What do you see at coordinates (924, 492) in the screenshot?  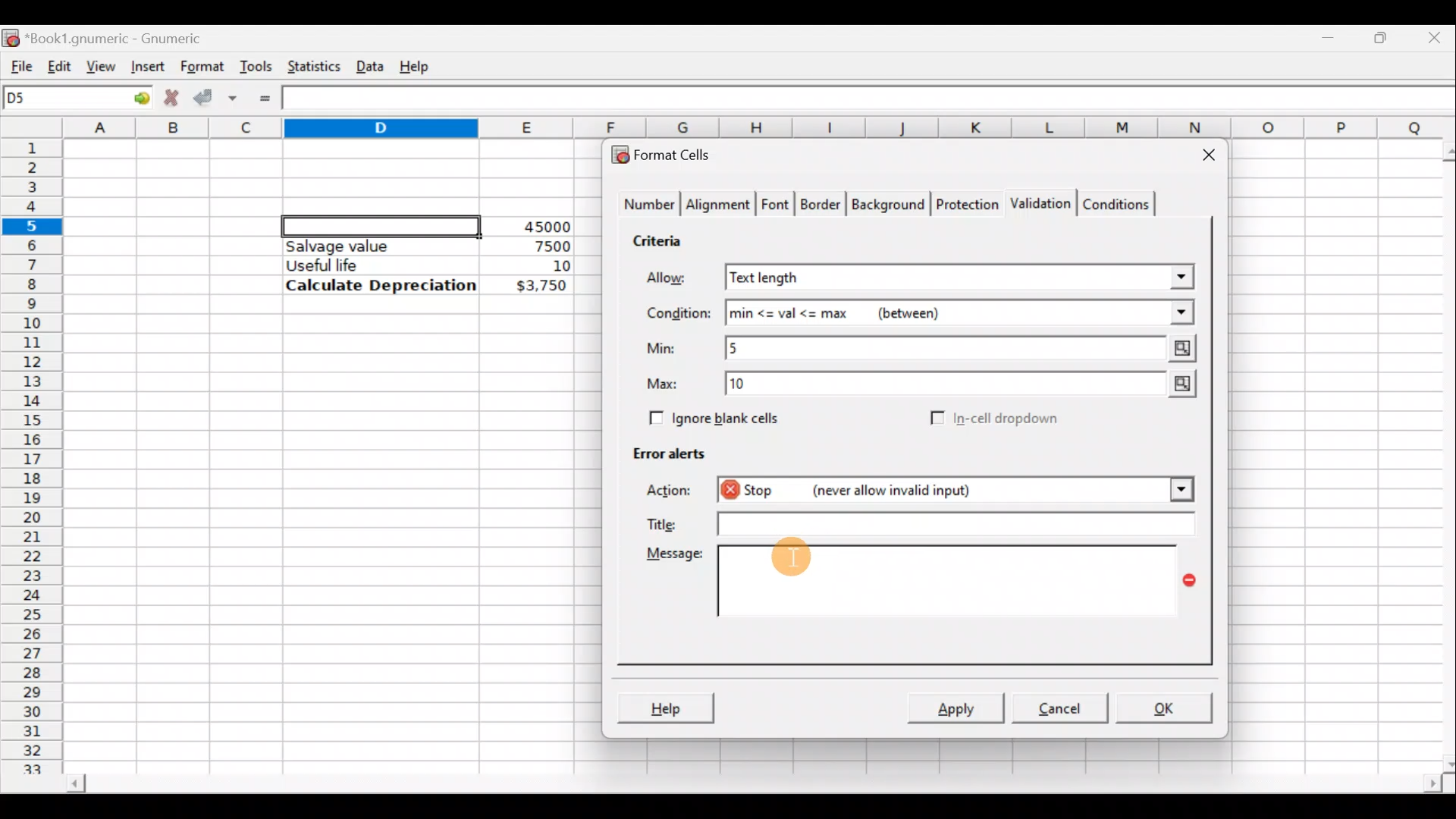 I see `Stop (never allow invalid input) action selected` at bounding box center [924, 492].